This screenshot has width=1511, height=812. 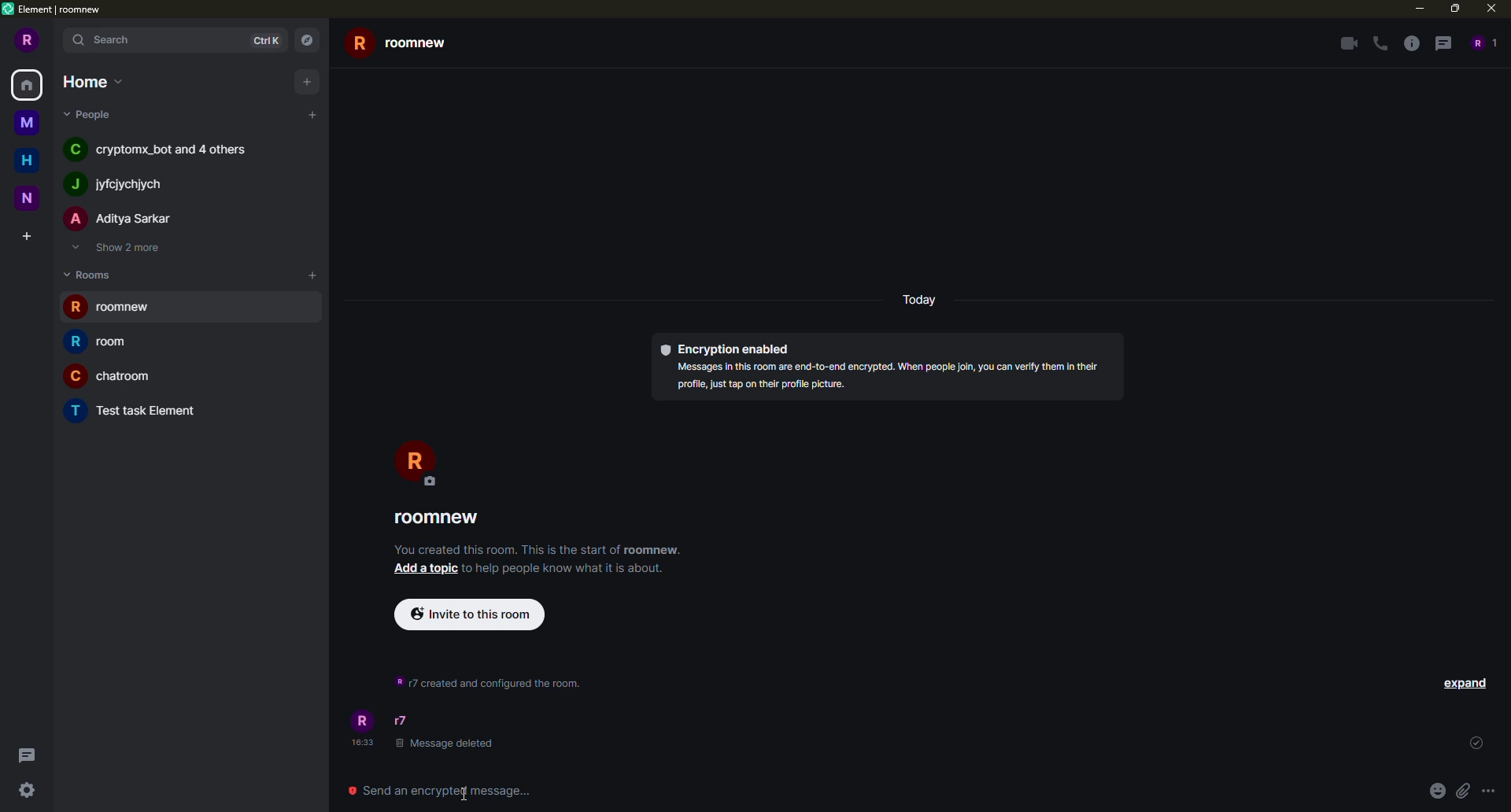 I want to click on encryption enabled, so click(x=728, y=349).